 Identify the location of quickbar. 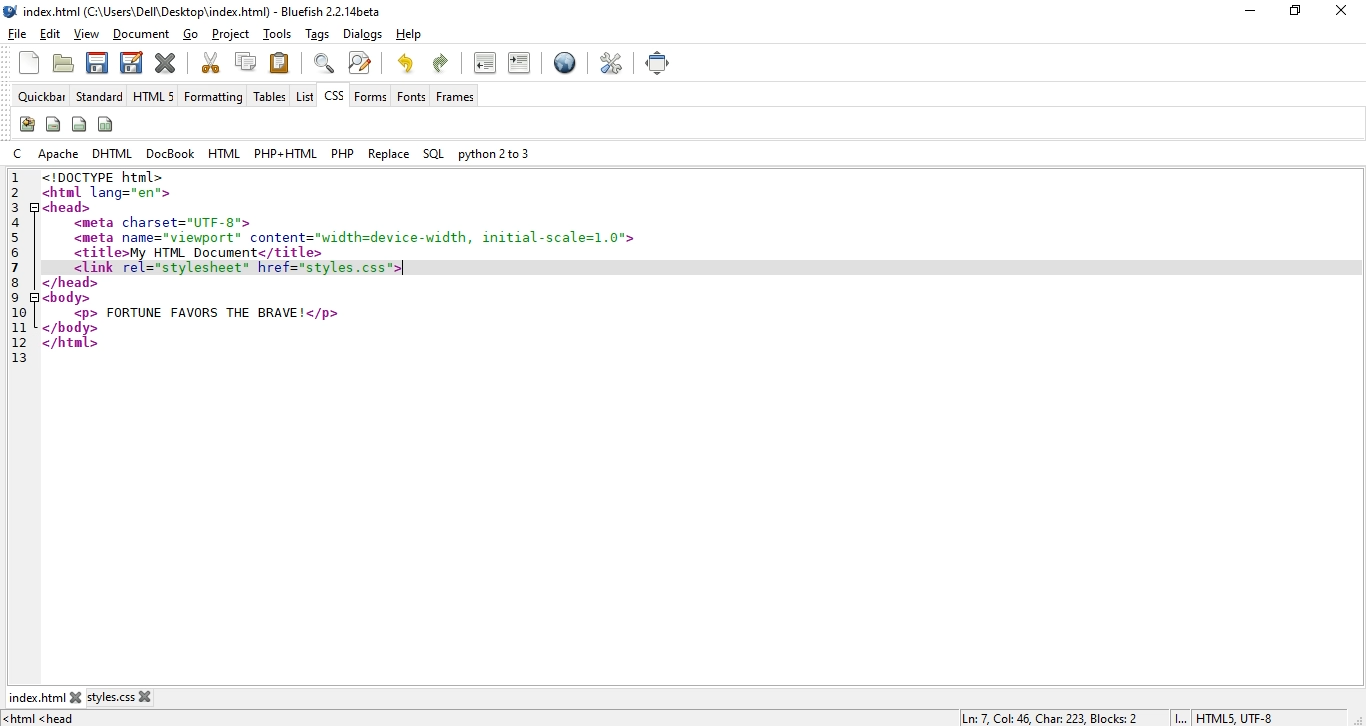
(44, 97).